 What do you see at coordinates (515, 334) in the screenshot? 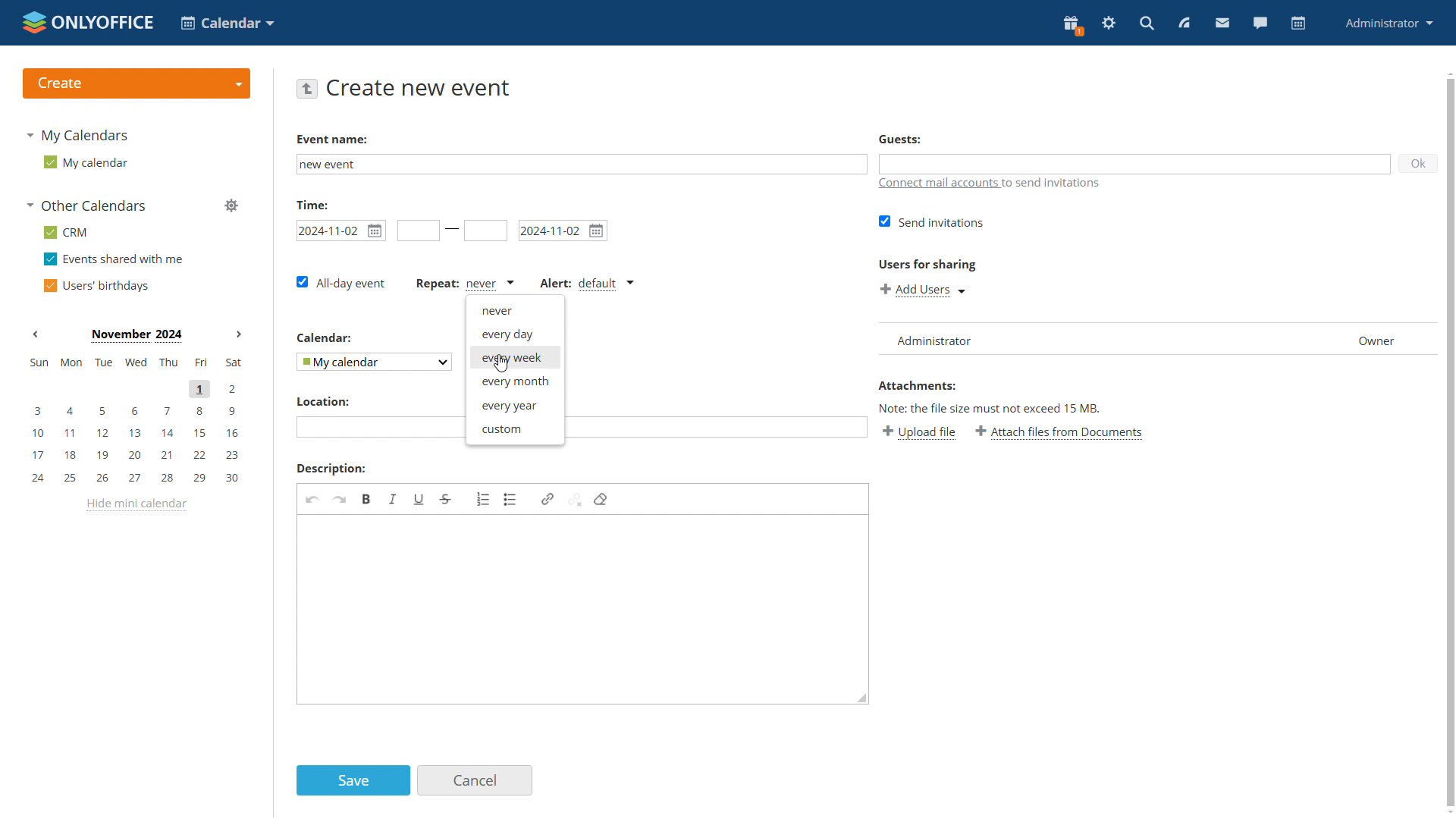
I see `every day` at bounding box center [515, 334].